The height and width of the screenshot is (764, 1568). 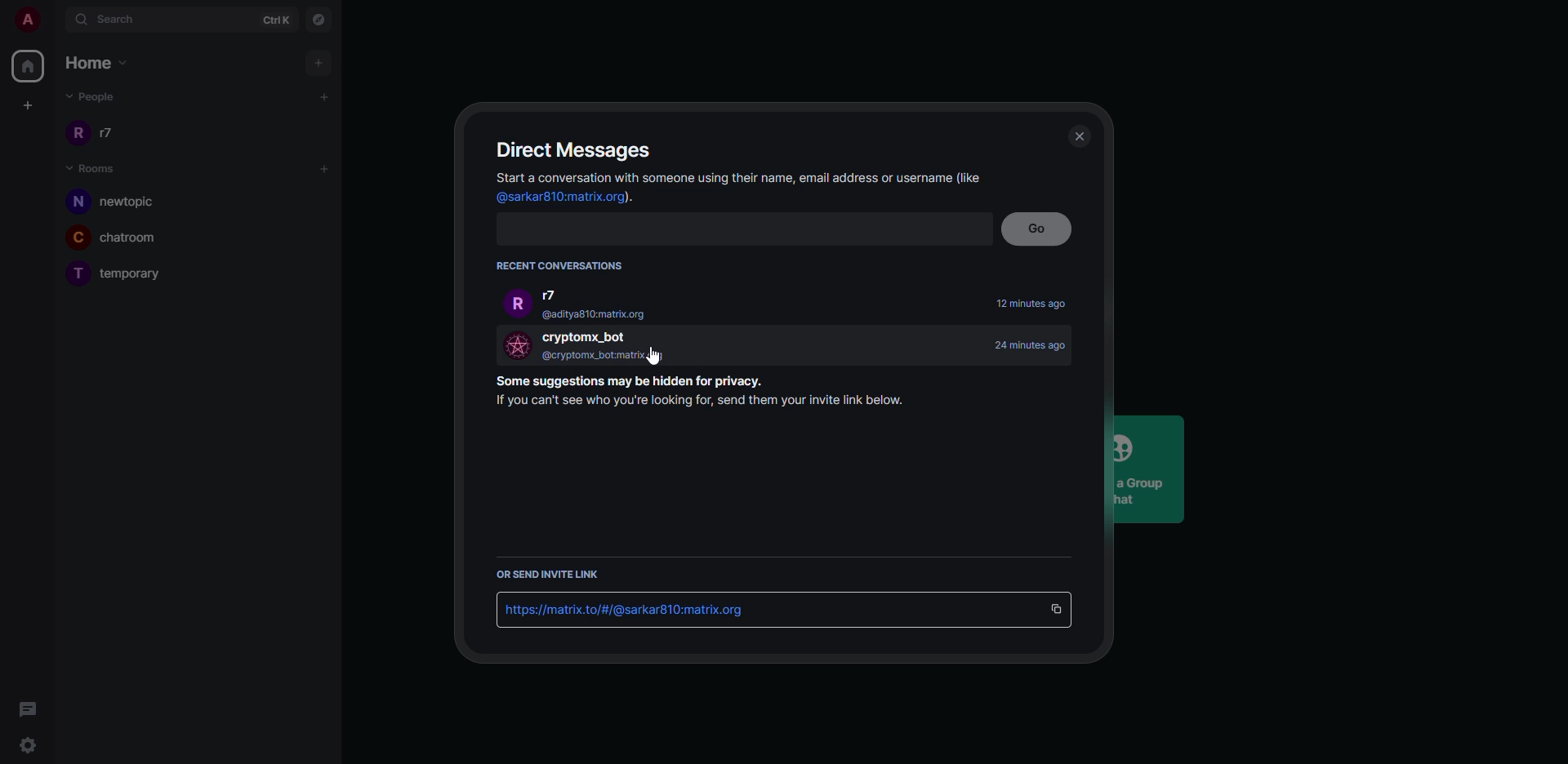 I want to click on C, so click(x=79, y=237).